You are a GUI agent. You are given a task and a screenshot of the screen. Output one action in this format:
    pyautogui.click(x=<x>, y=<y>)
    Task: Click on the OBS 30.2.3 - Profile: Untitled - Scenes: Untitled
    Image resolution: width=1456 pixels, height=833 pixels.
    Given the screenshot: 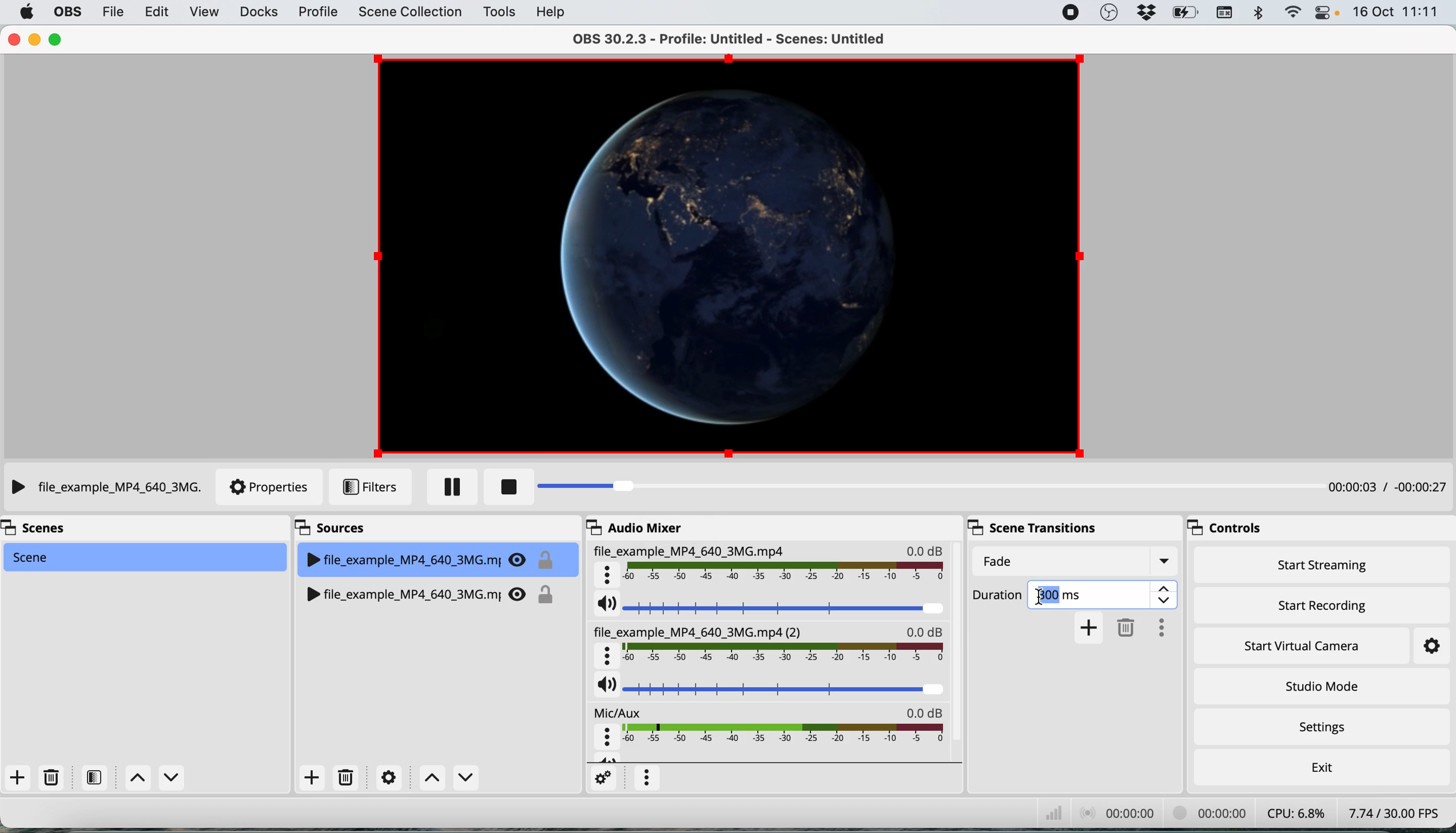 What is the action you would take?
    pyautogui.click(x=722, y=41)
    